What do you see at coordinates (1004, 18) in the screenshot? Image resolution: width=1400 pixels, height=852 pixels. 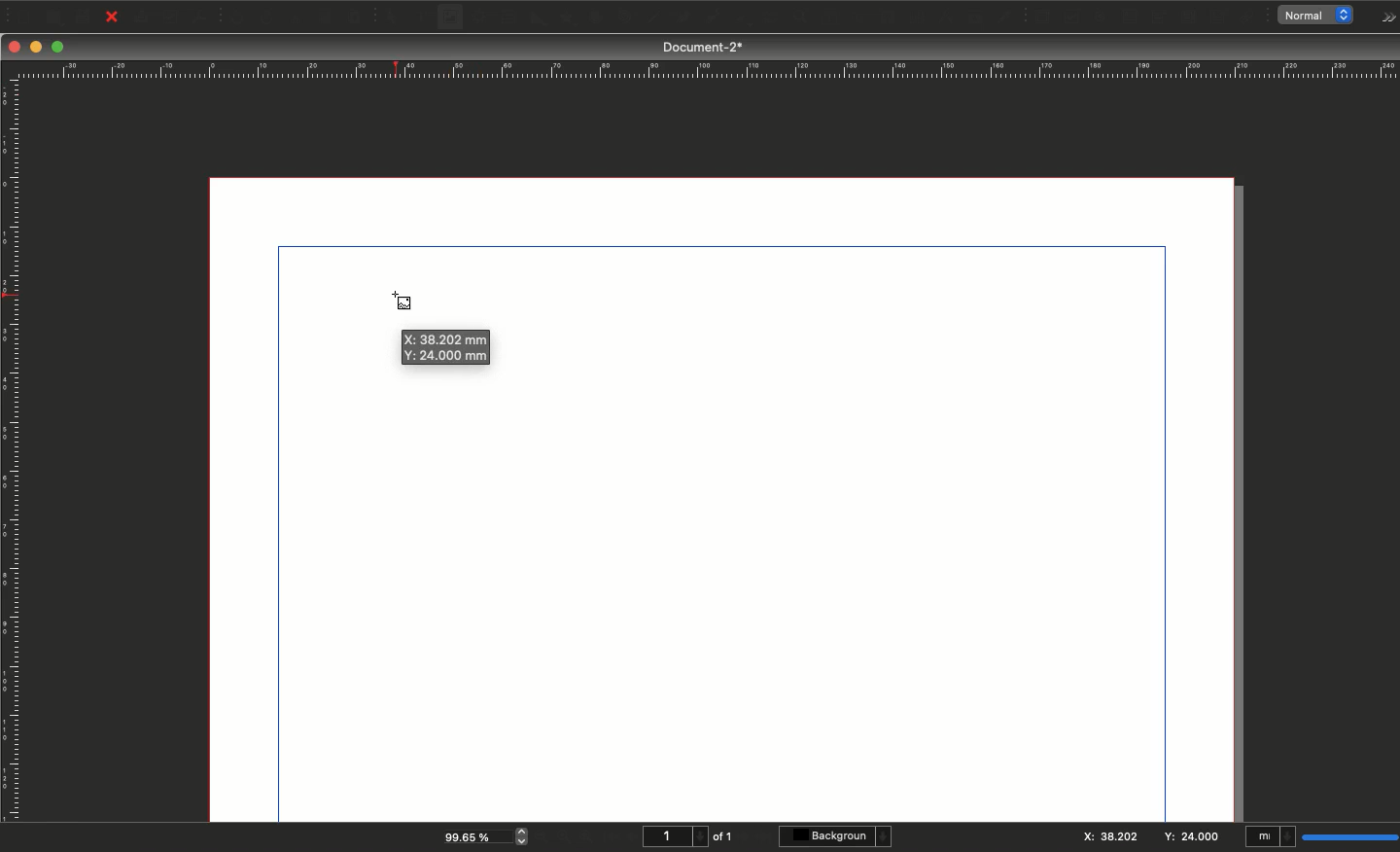 I see `Eye dropper` at bounding box center [1004, 18].